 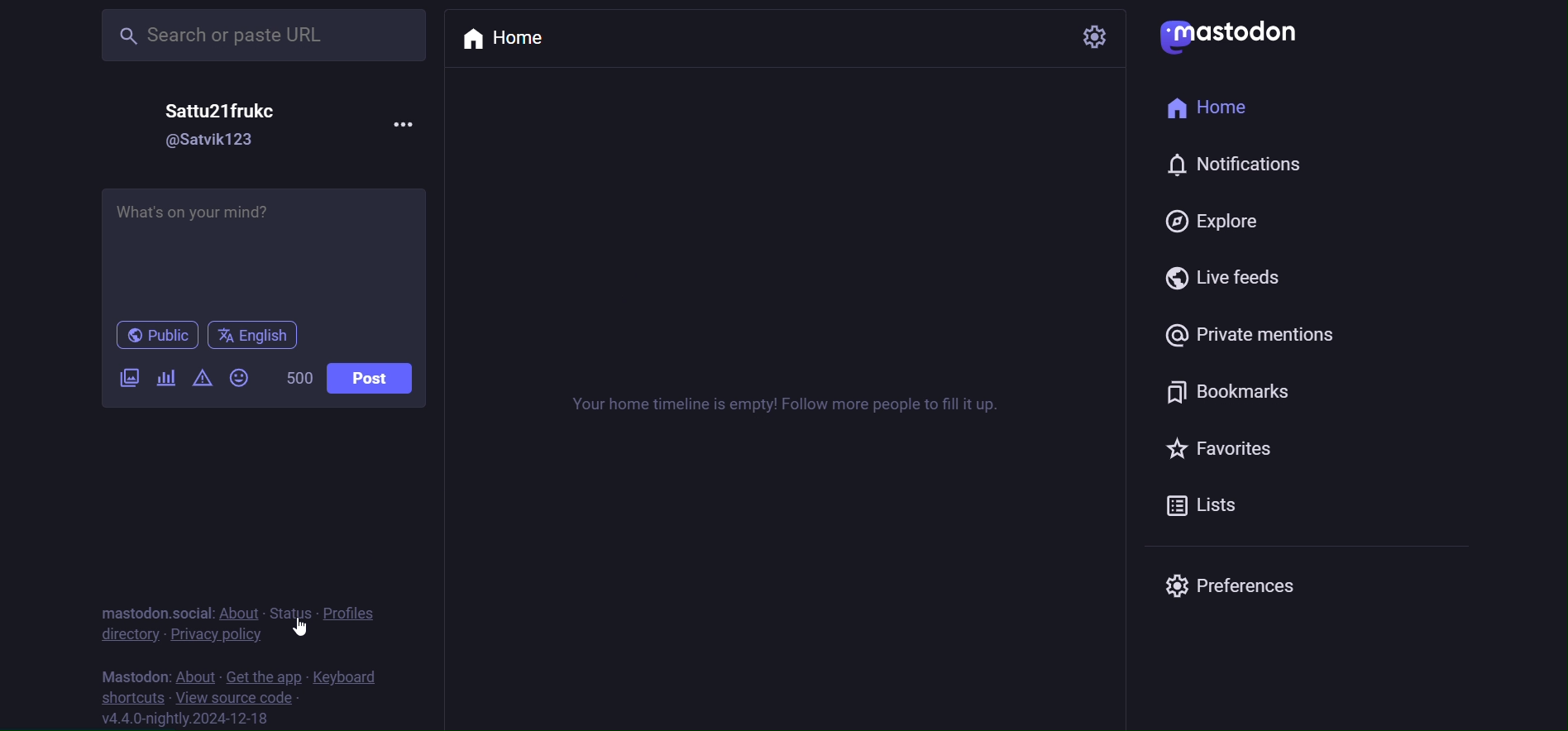 What do you see at coordinates (159, 337) in the screenshot?
I see `Public` at bounding box center [159, 337].